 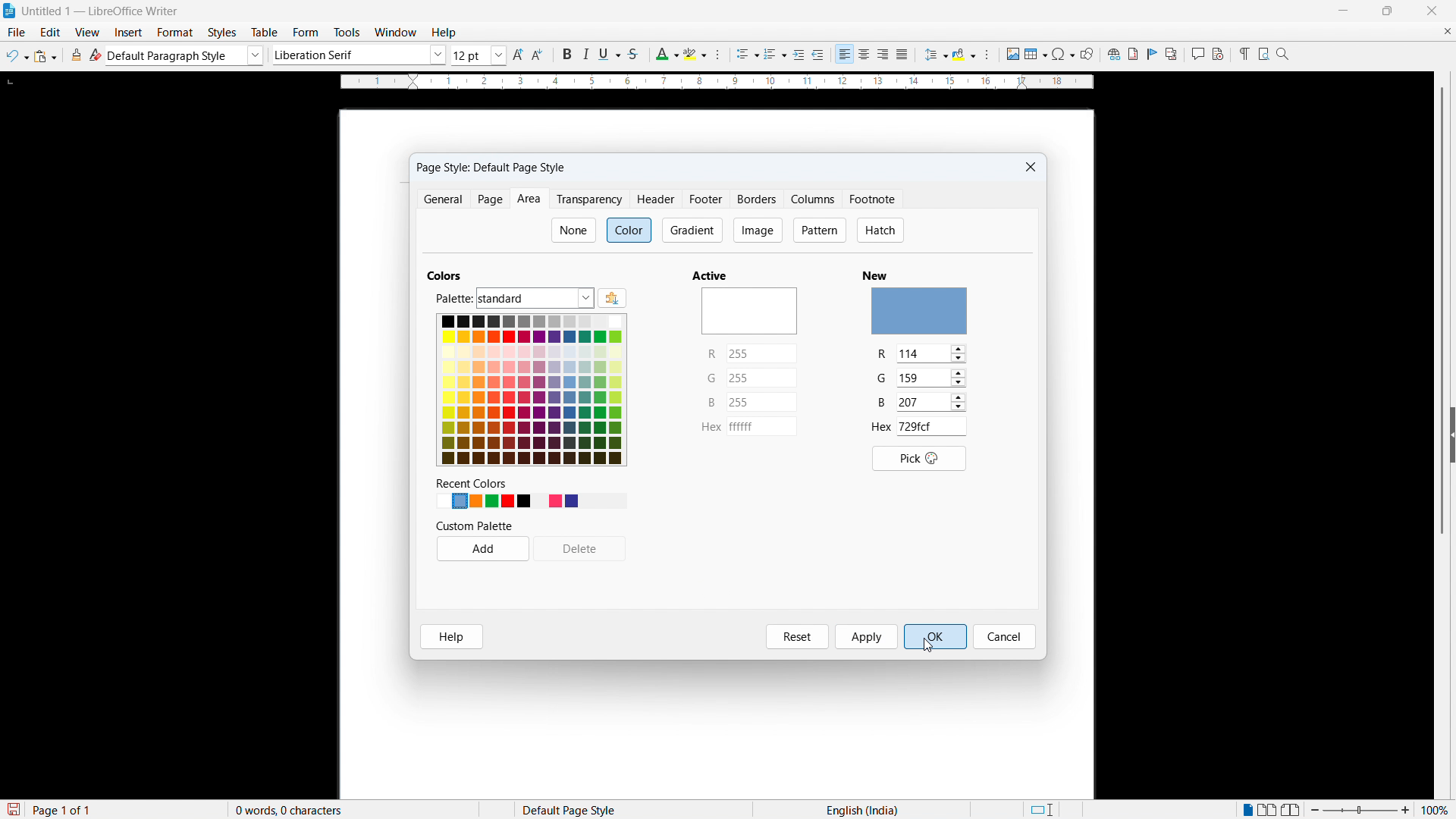 I want to click on Edit , so click(x=51, y=32).